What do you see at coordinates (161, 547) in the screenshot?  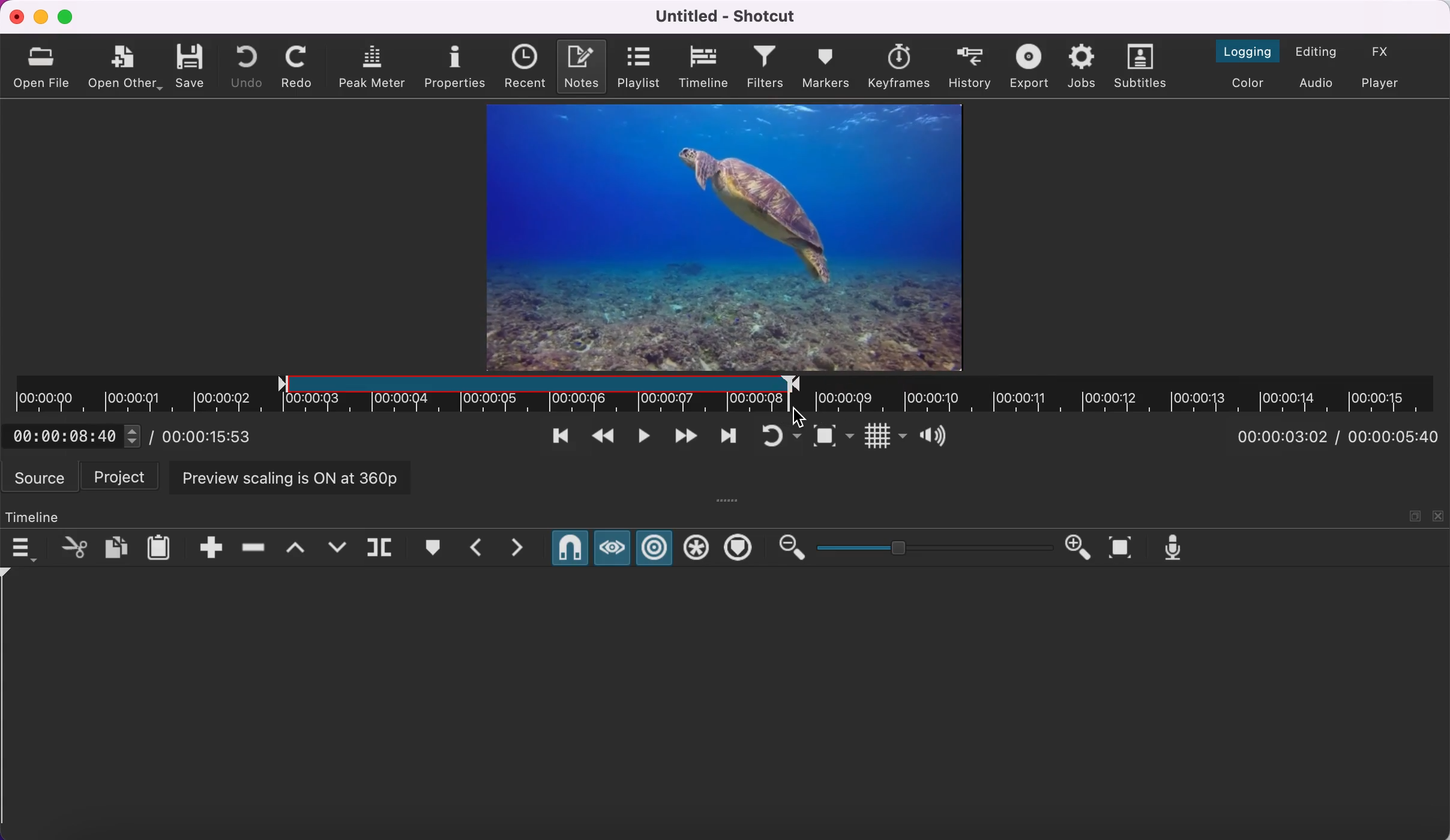 I see `paste` at bounding box center [161, 547].